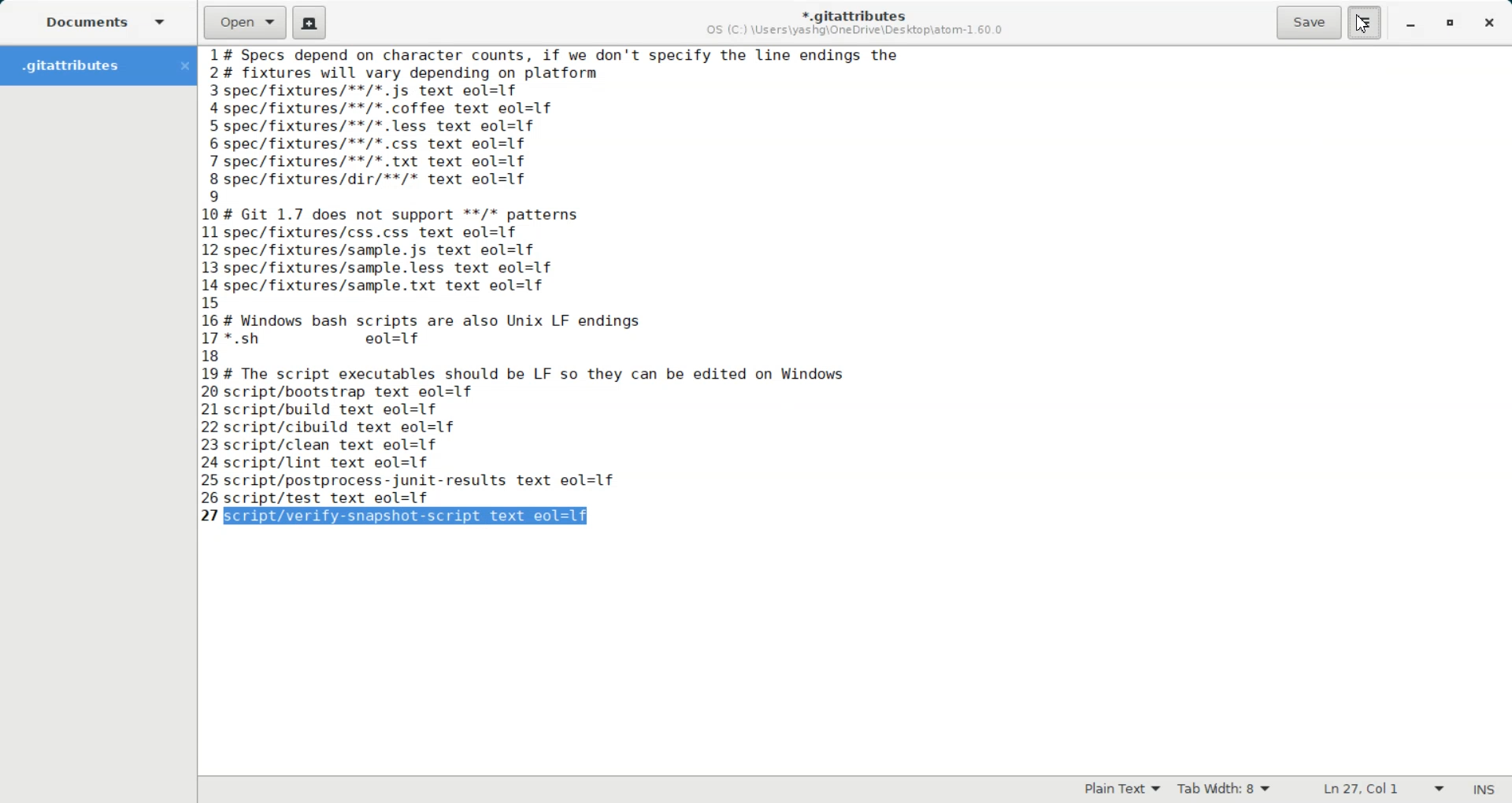 This screenshot has height=803, width=1512. I want to click on OS (C:) \Users\yashg\OneDrive\Desktop\atom-1.60.0, so click(858, 31).